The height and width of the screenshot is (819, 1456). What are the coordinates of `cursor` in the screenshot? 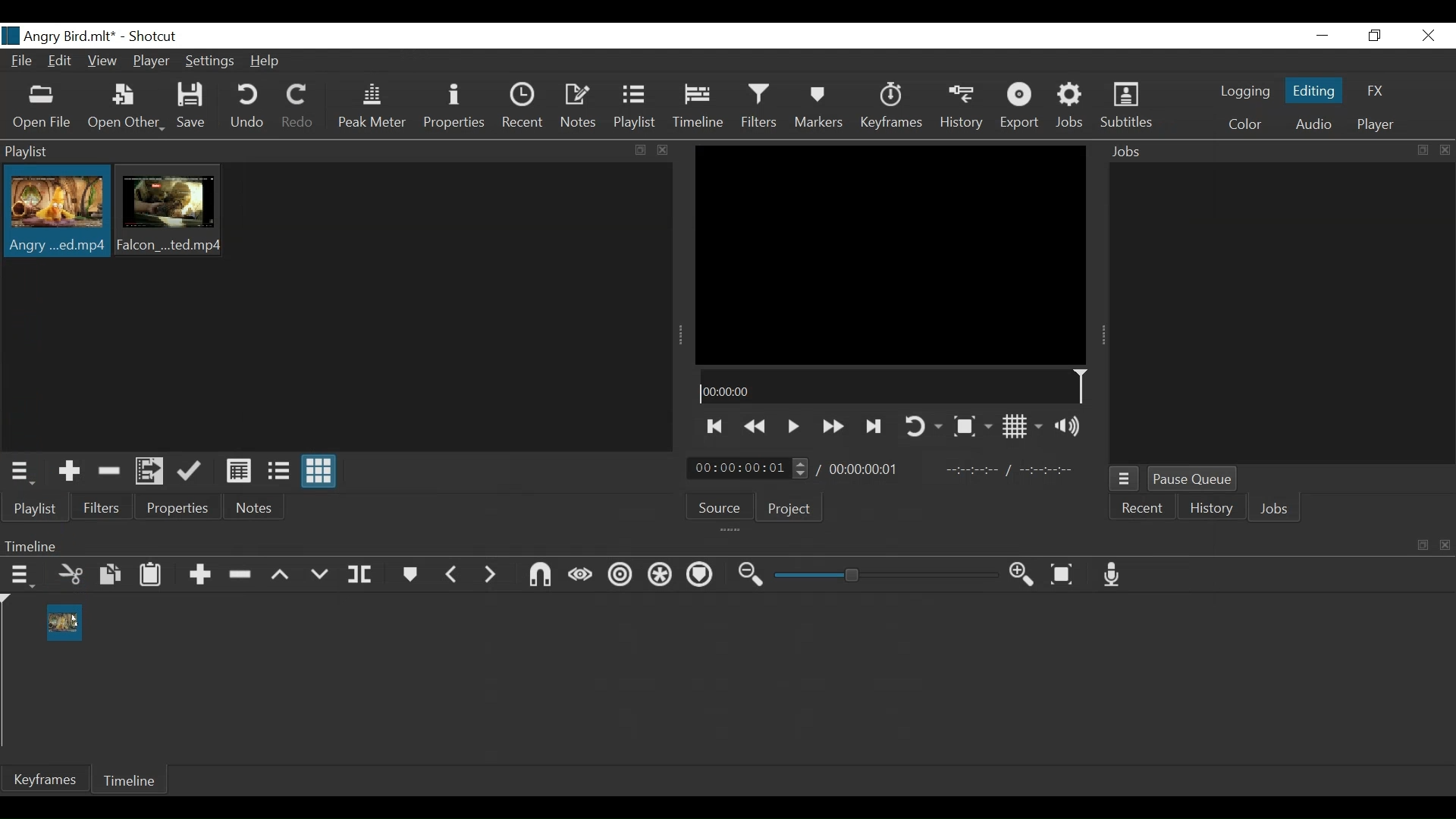 It's located at (77, 617).